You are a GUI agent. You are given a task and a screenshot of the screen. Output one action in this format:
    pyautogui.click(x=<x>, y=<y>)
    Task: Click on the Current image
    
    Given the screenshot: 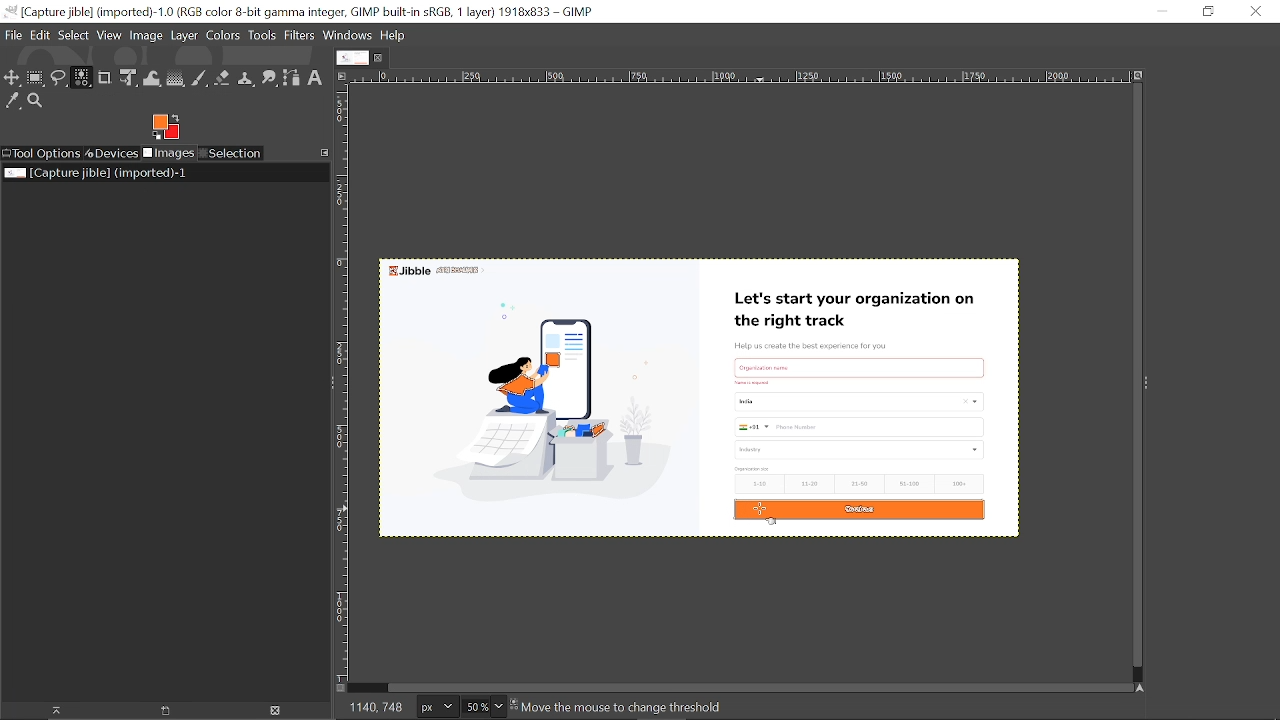 What is the action you would take?
    pyautogui.click(x=709, y=397)
    